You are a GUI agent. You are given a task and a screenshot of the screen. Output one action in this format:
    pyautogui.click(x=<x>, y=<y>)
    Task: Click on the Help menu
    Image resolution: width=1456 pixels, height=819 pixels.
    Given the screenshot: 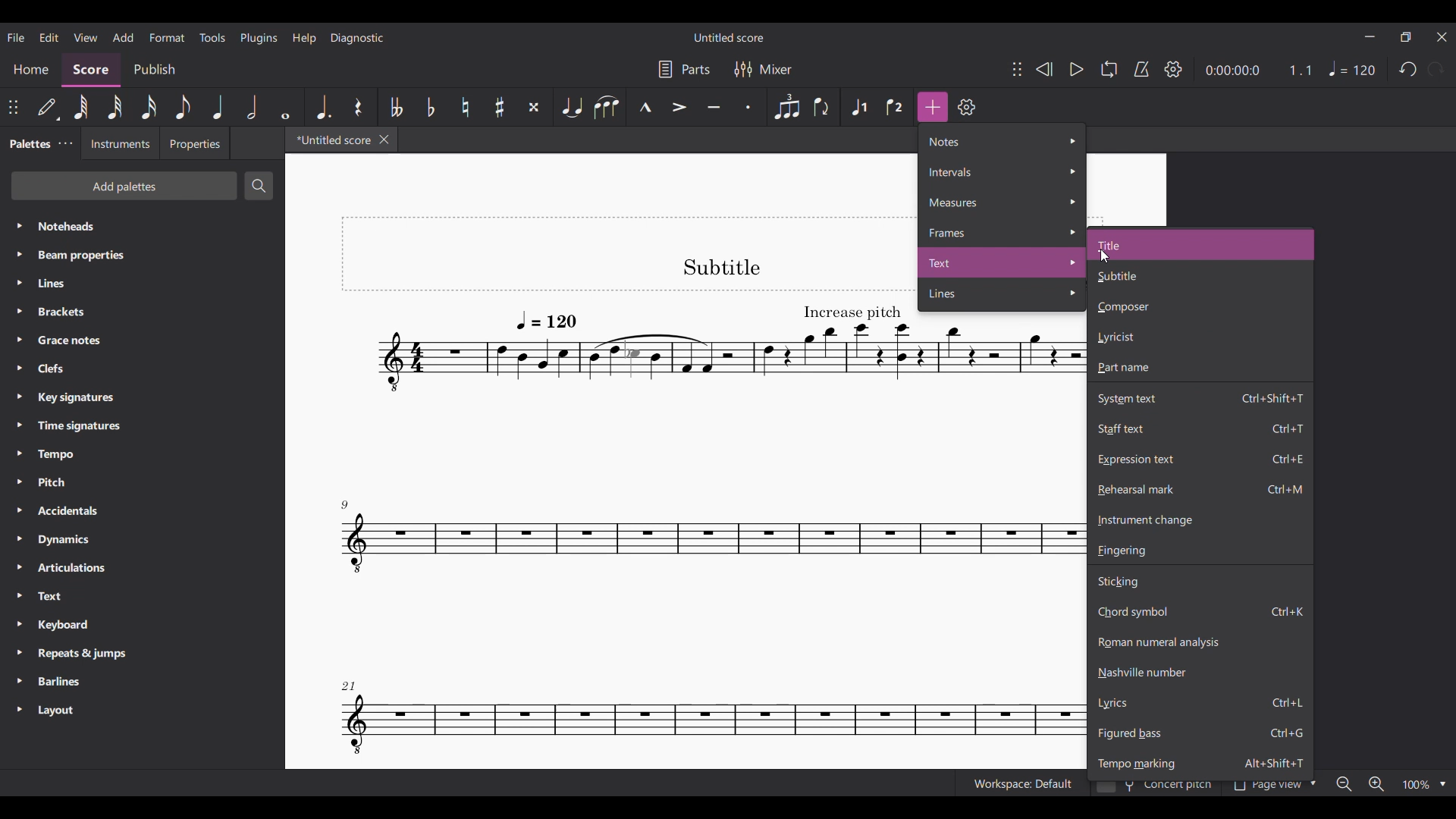 What is the action you would take?
    pyautogui.click(x=304, y=39)
    